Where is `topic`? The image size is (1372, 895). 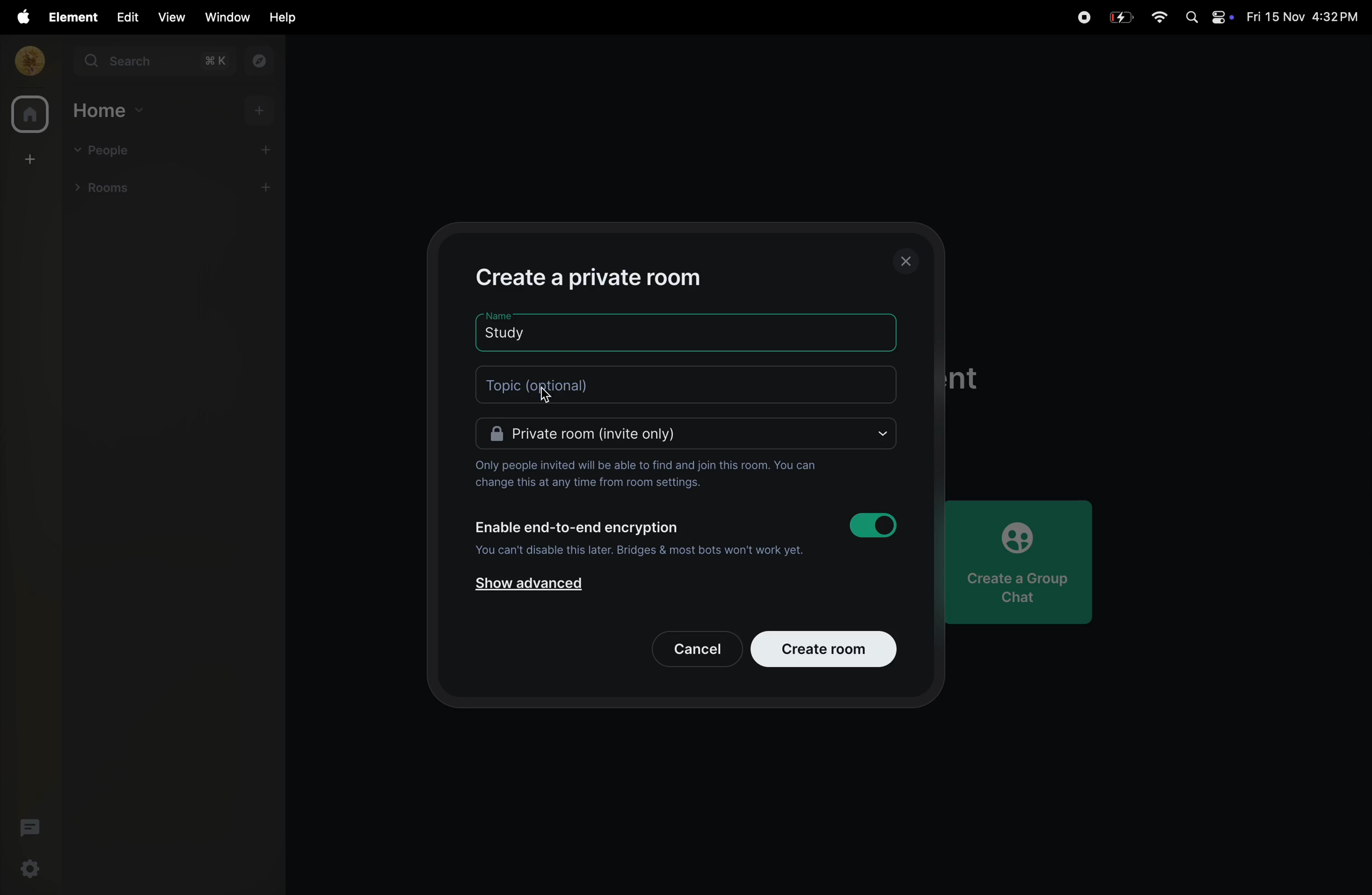
topic is located at coordinates (691, 383).